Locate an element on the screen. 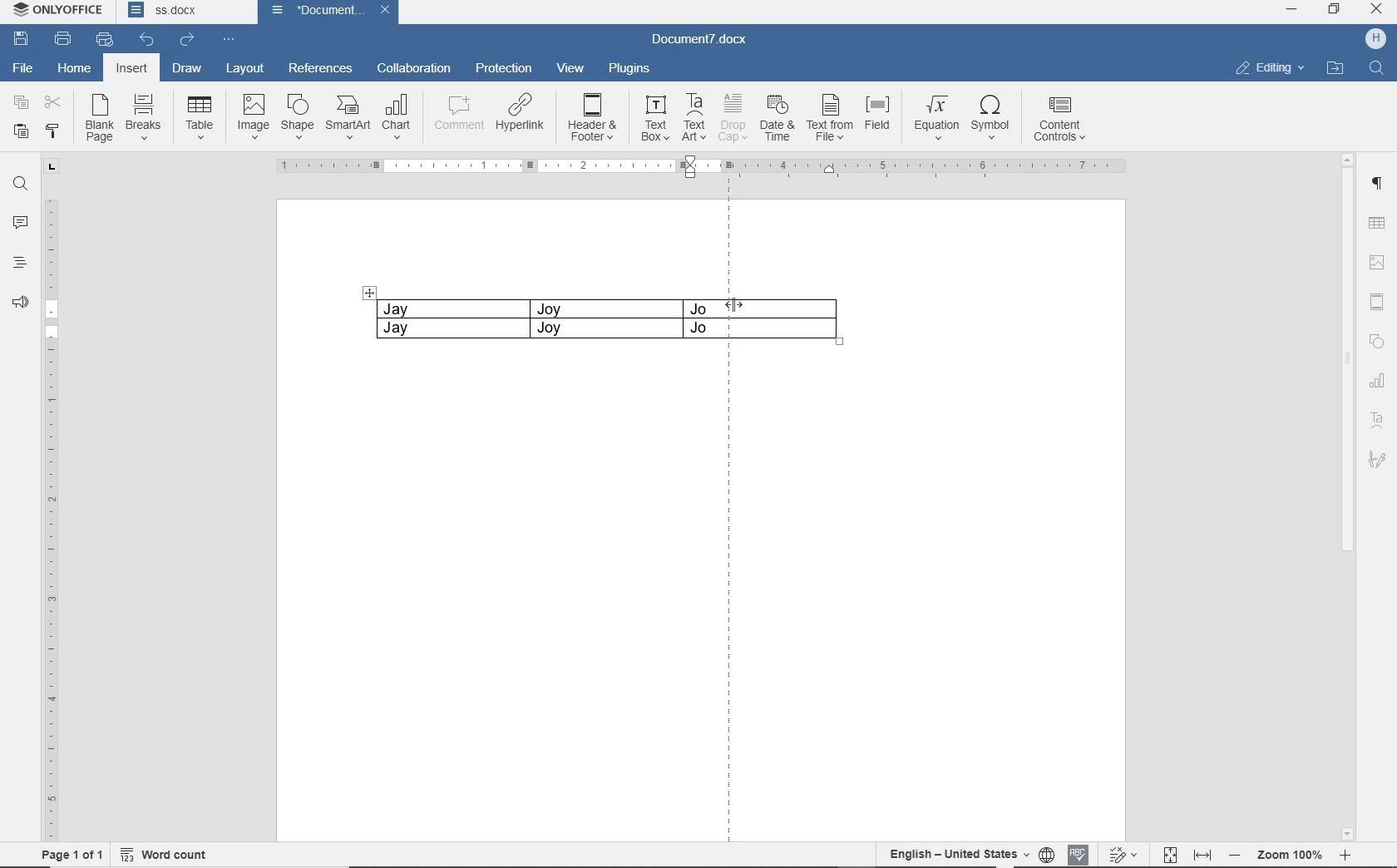 Image resolution: width=1397 pixels, height=868 pixels. BREAKS is located at coordinates (143, 114).